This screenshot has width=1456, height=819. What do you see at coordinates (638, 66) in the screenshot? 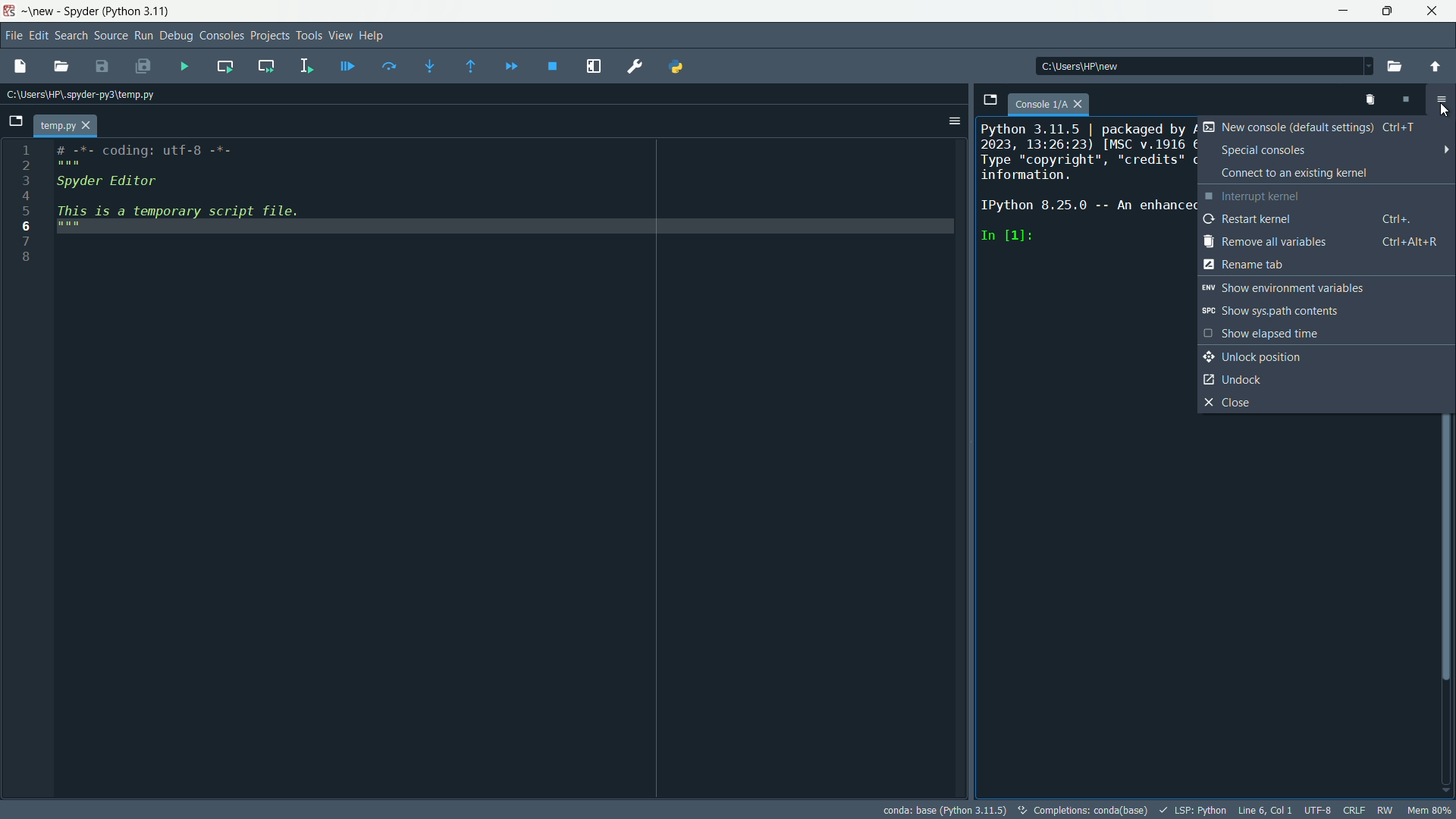
I see `preferences` at bounding box center [638, 66].